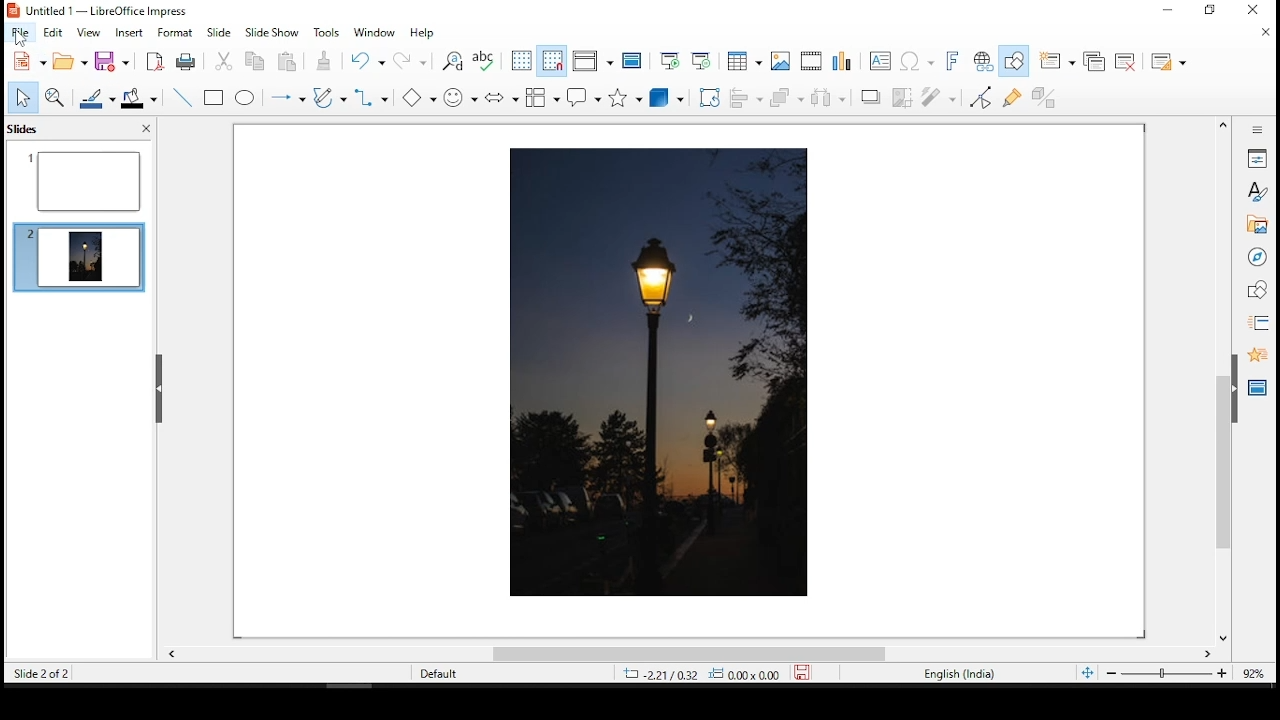 The image size is (1280, 720). Describe the element at coordinates (670, 60) in the screenshot. I see `start from first slide` at that location.